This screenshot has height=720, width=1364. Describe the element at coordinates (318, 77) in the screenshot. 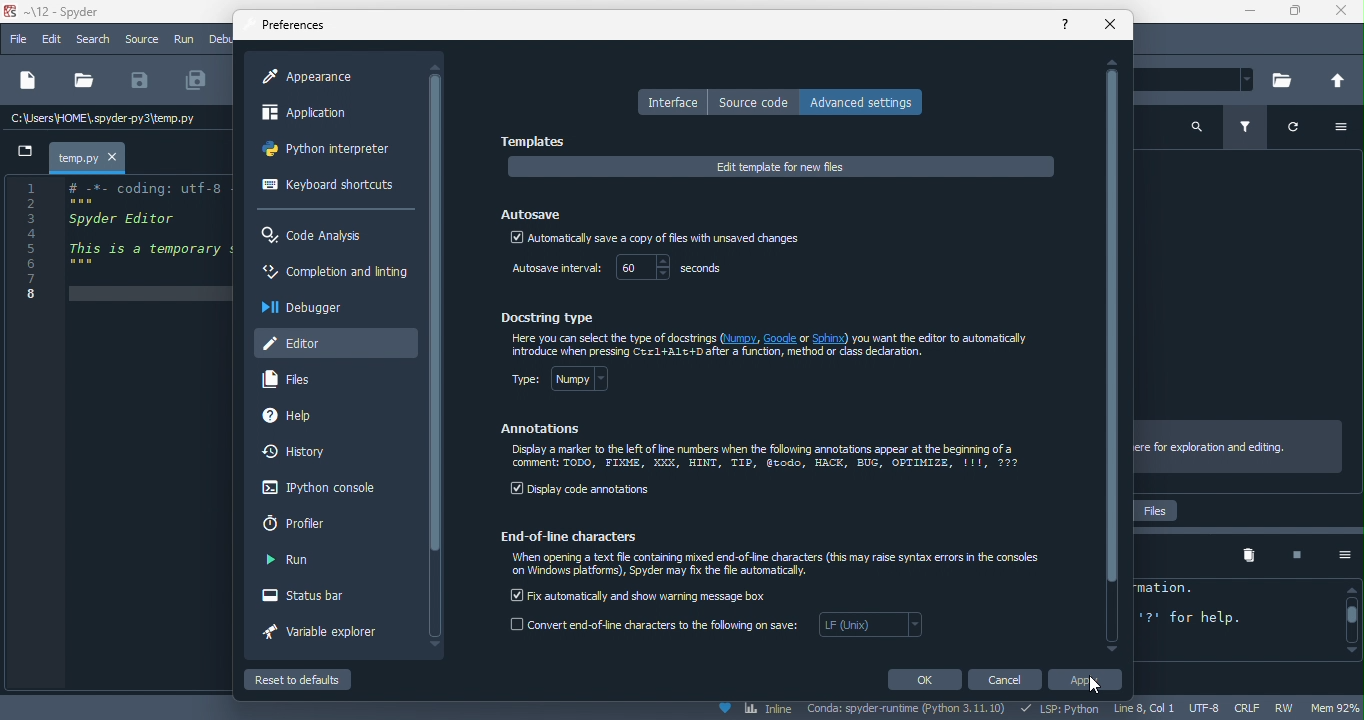

I see `appearance` at that location.